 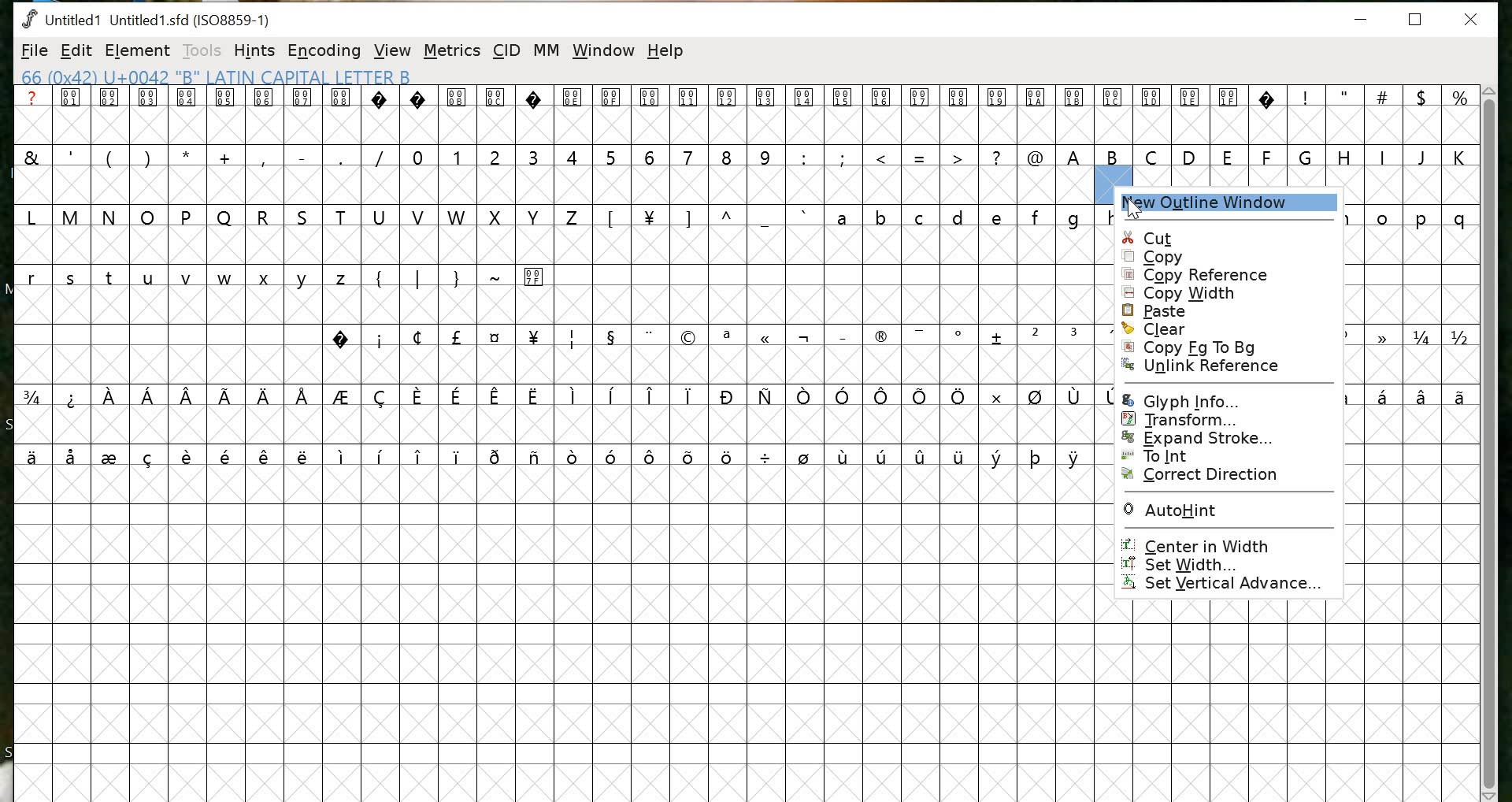 I want to click on VIEW, so click(x=394, y=51).